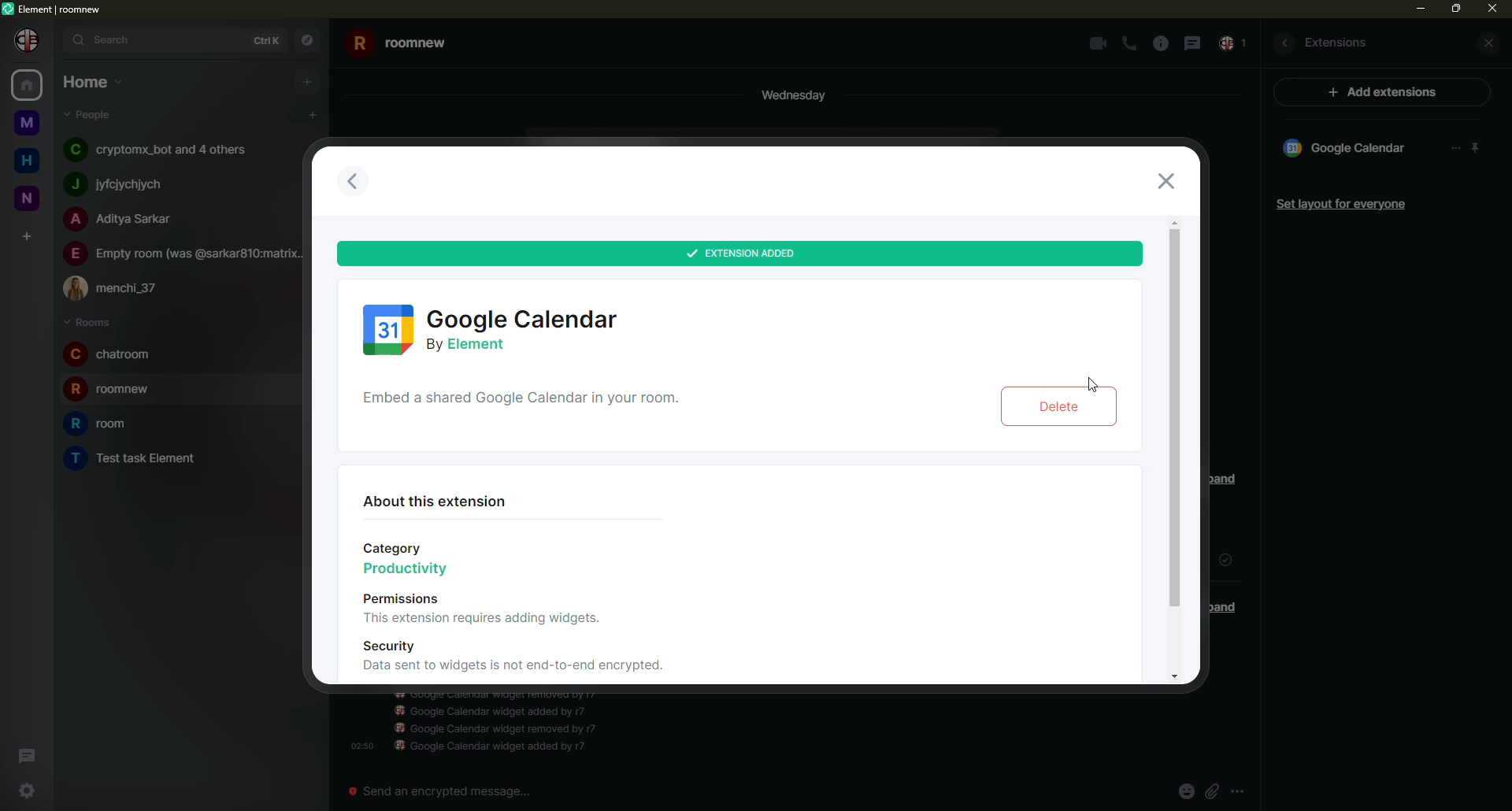 Image resolution: width=1512 pixels, height=811 pixels. I want to click on room, so click(137, 457).